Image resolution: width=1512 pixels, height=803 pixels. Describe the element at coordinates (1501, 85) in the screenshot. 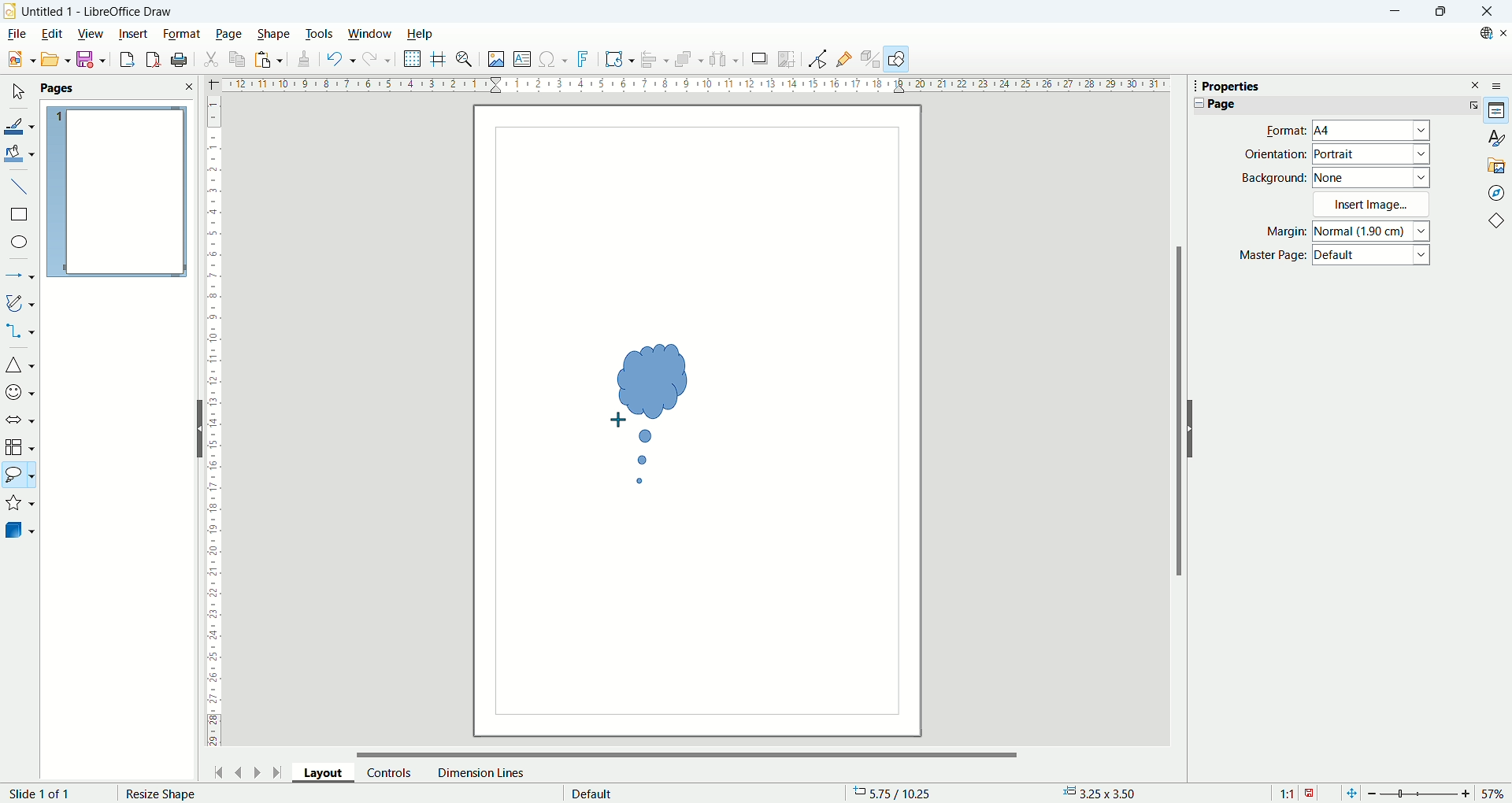

I see `Sidebar settings` at that location.